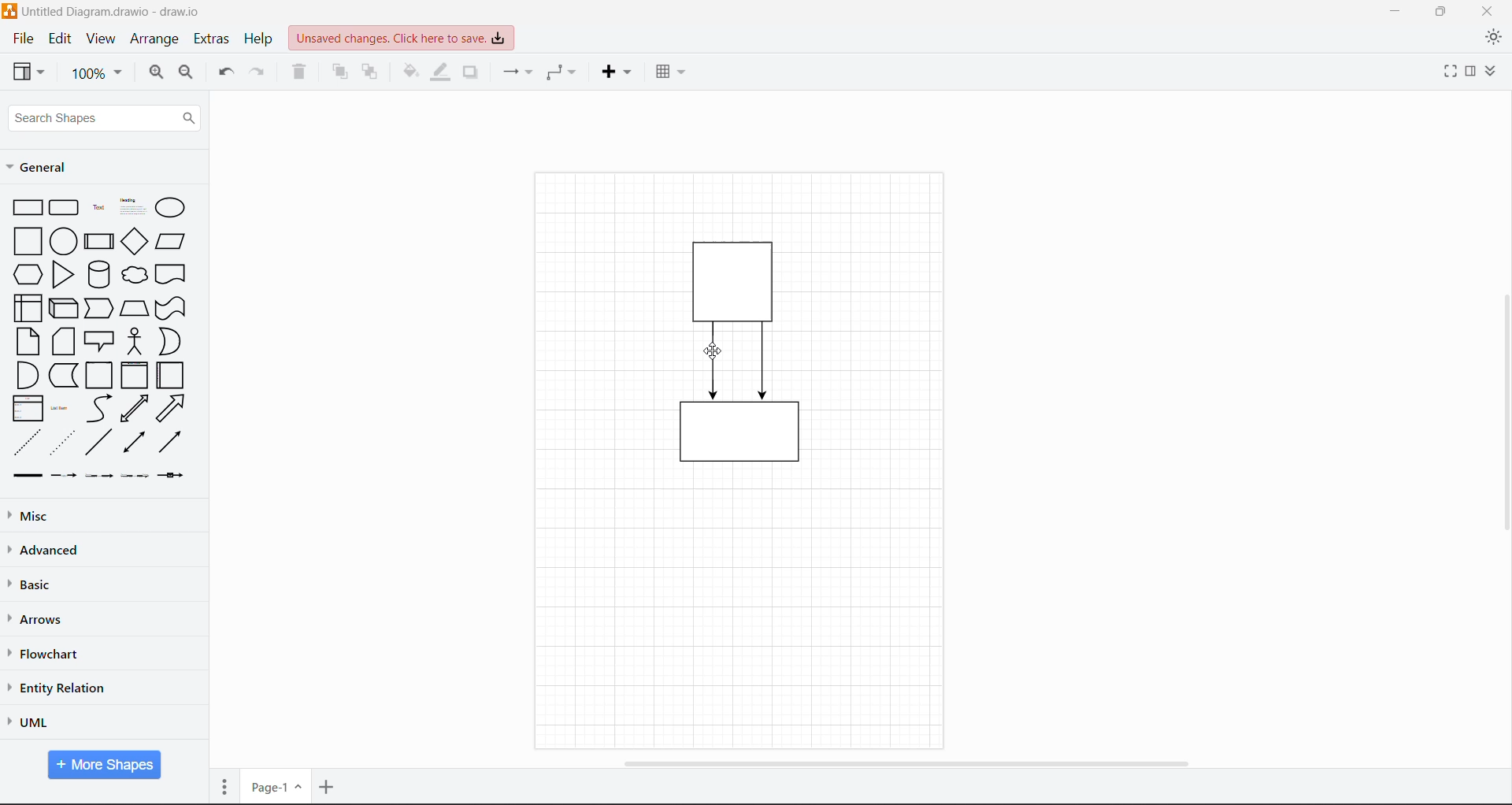 The height and width of the screenshot is (805, 1512). What do you see at coordinates (61, 409) in the screenshot?
I see `List Item` at bounding box center [61, 409].